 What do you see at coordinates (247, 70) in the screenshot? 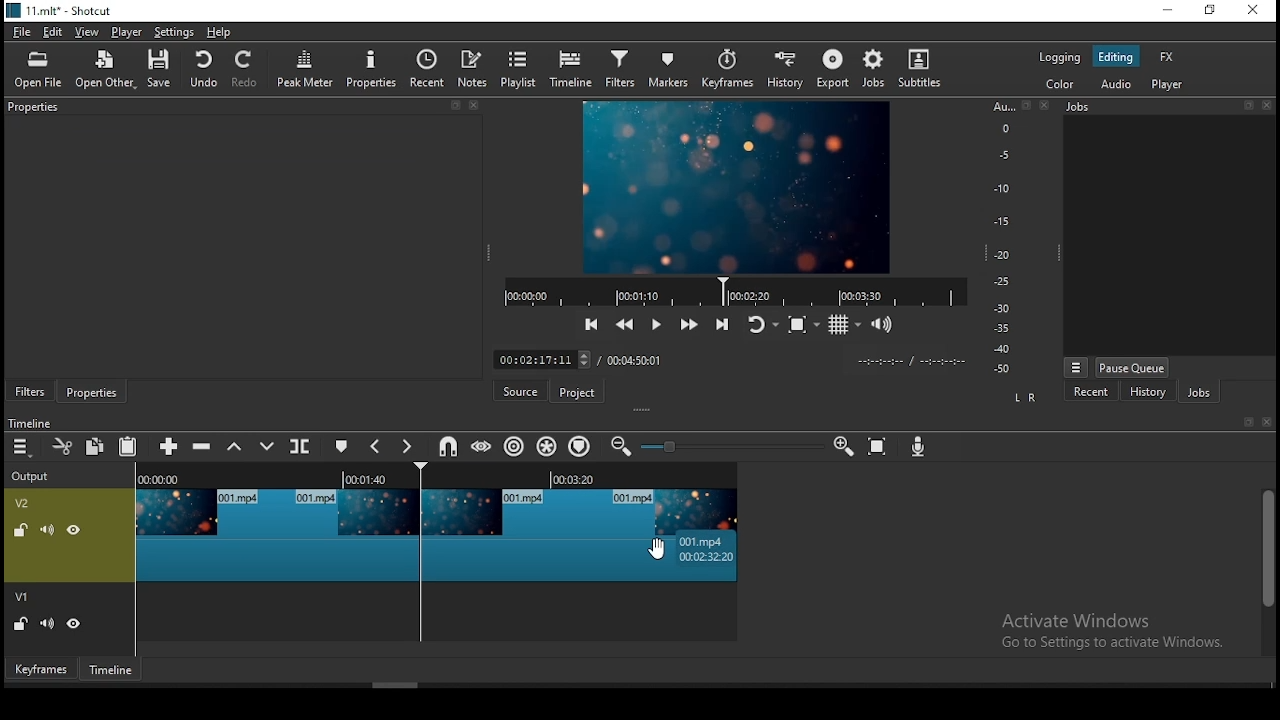
I see `redo` at bounding box center [247, 70].